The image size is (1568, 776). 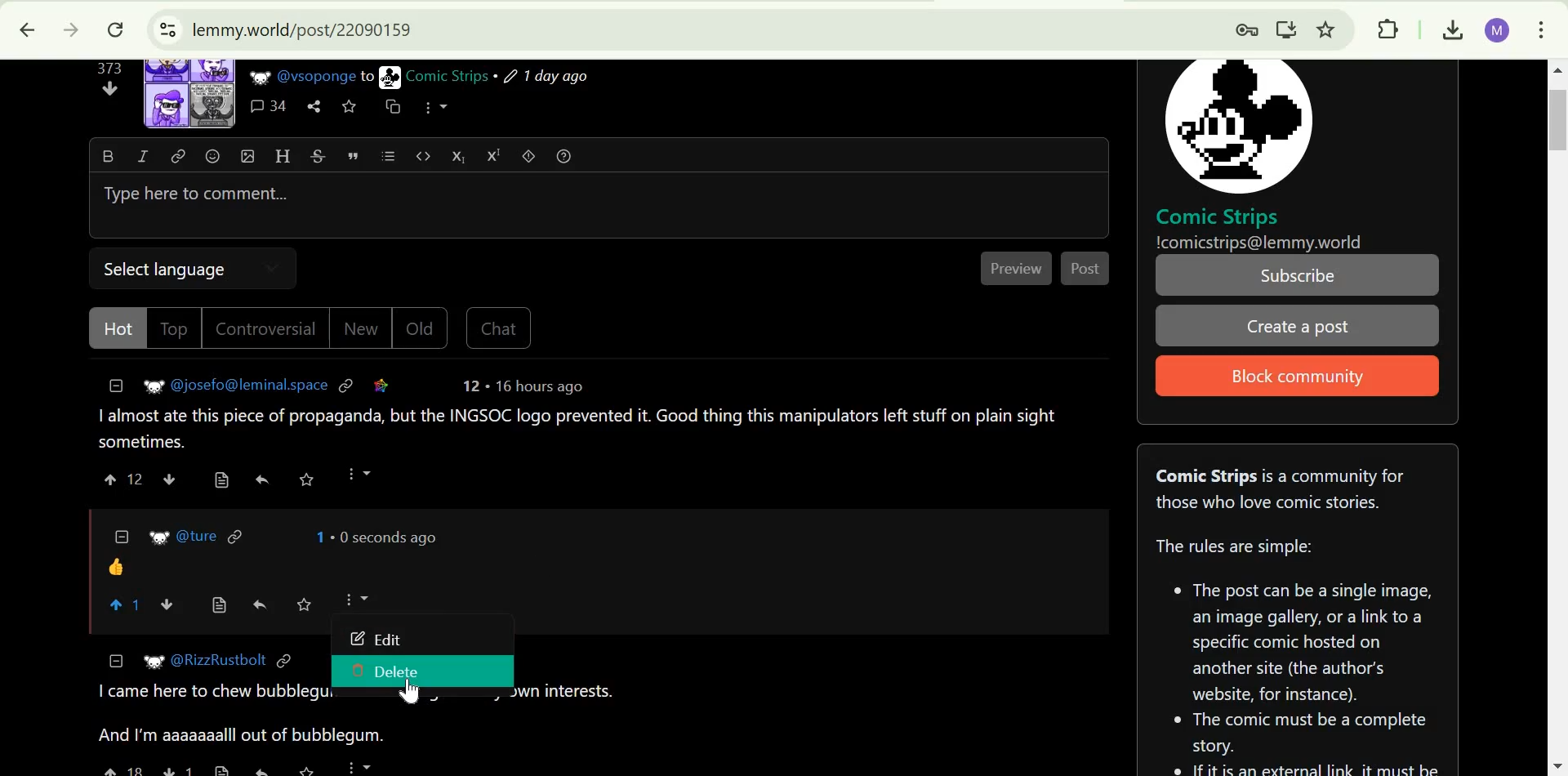 What do you see at coordinates (347, 384) in the screenshot?
I see `link` at bounding box center [347, 384].